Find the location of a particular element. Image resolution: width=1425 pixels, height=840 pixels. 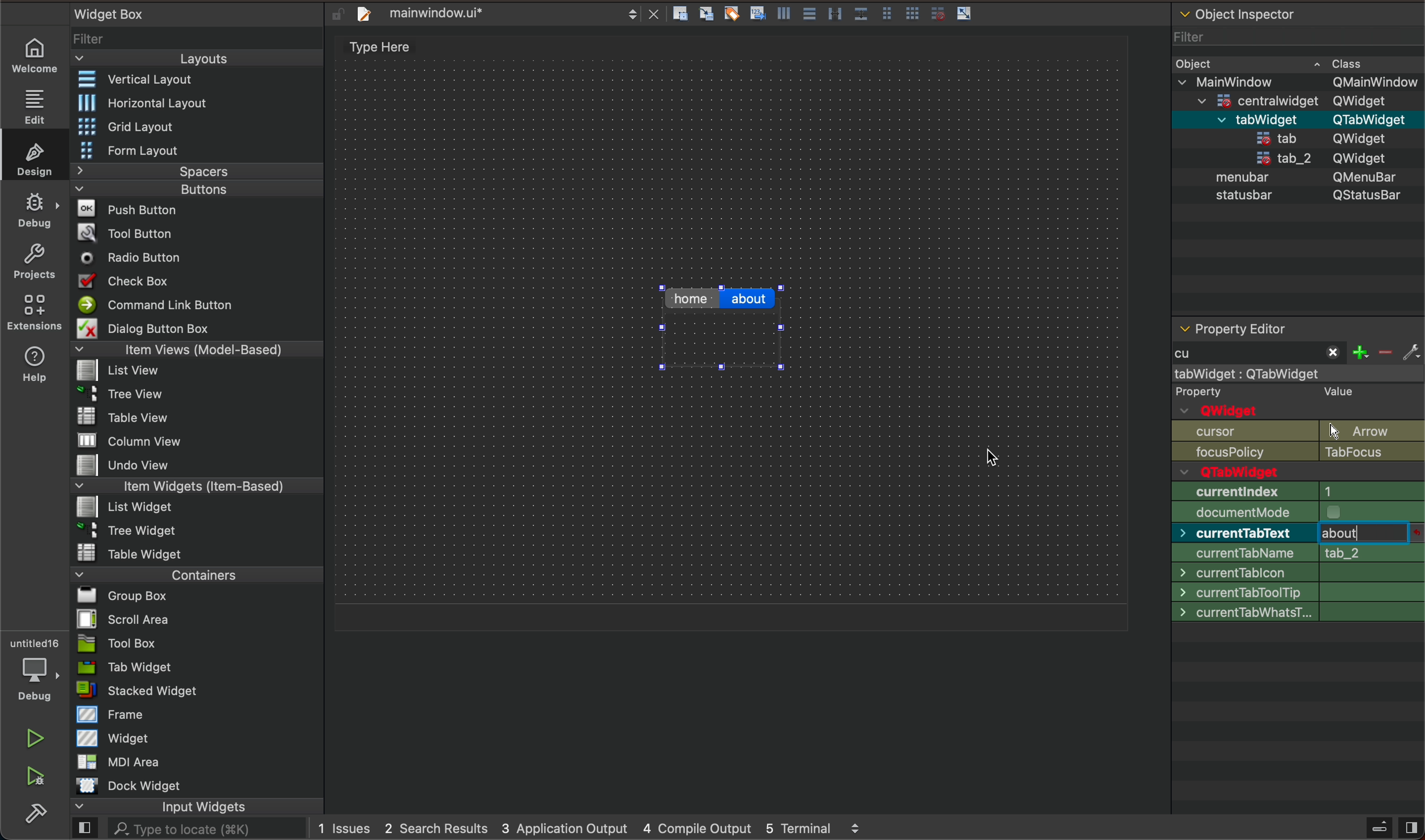

MW column view is located at coordinates (117, 440).